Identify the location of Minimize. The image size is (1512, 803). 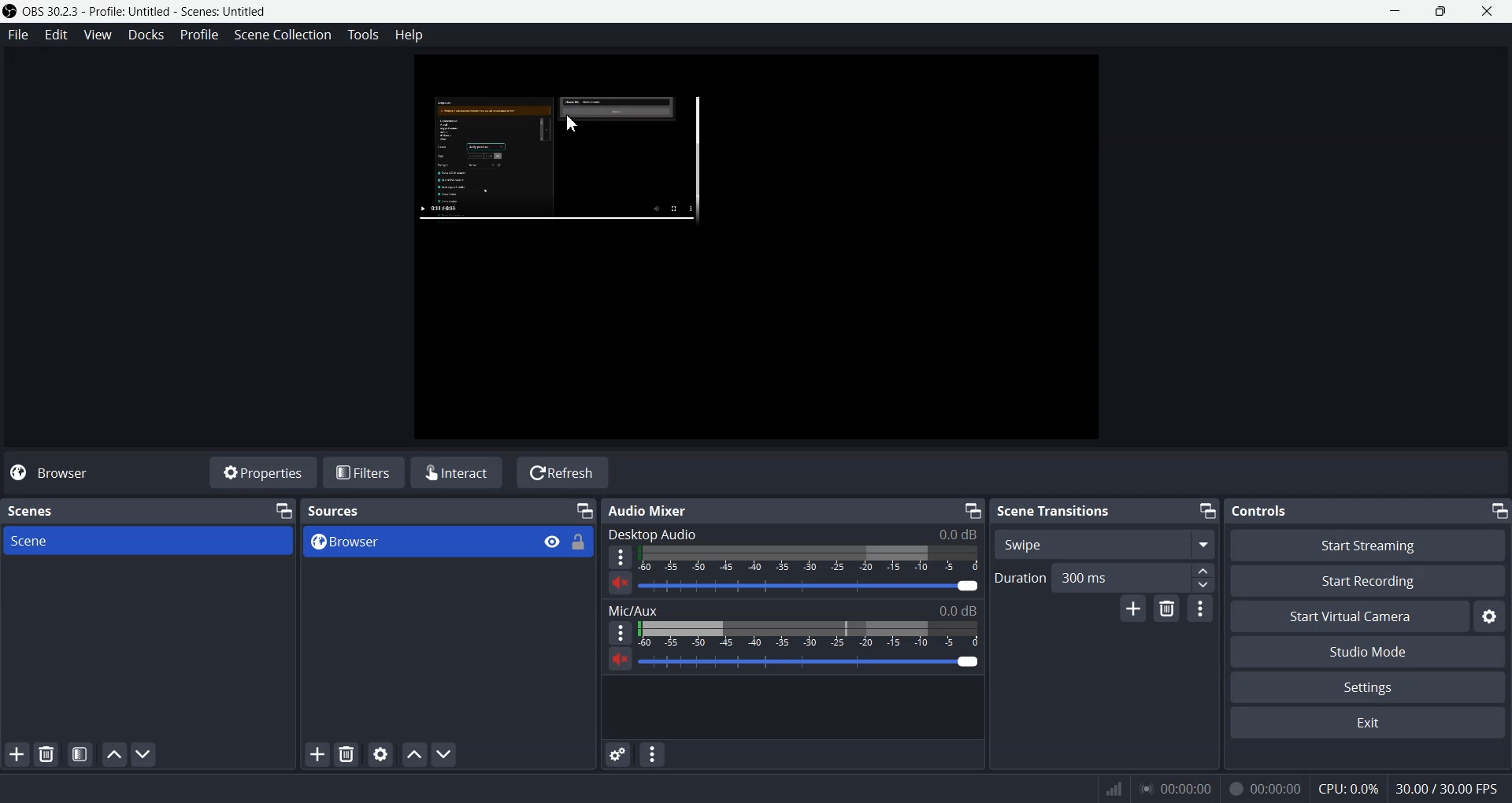
(1206, 510).